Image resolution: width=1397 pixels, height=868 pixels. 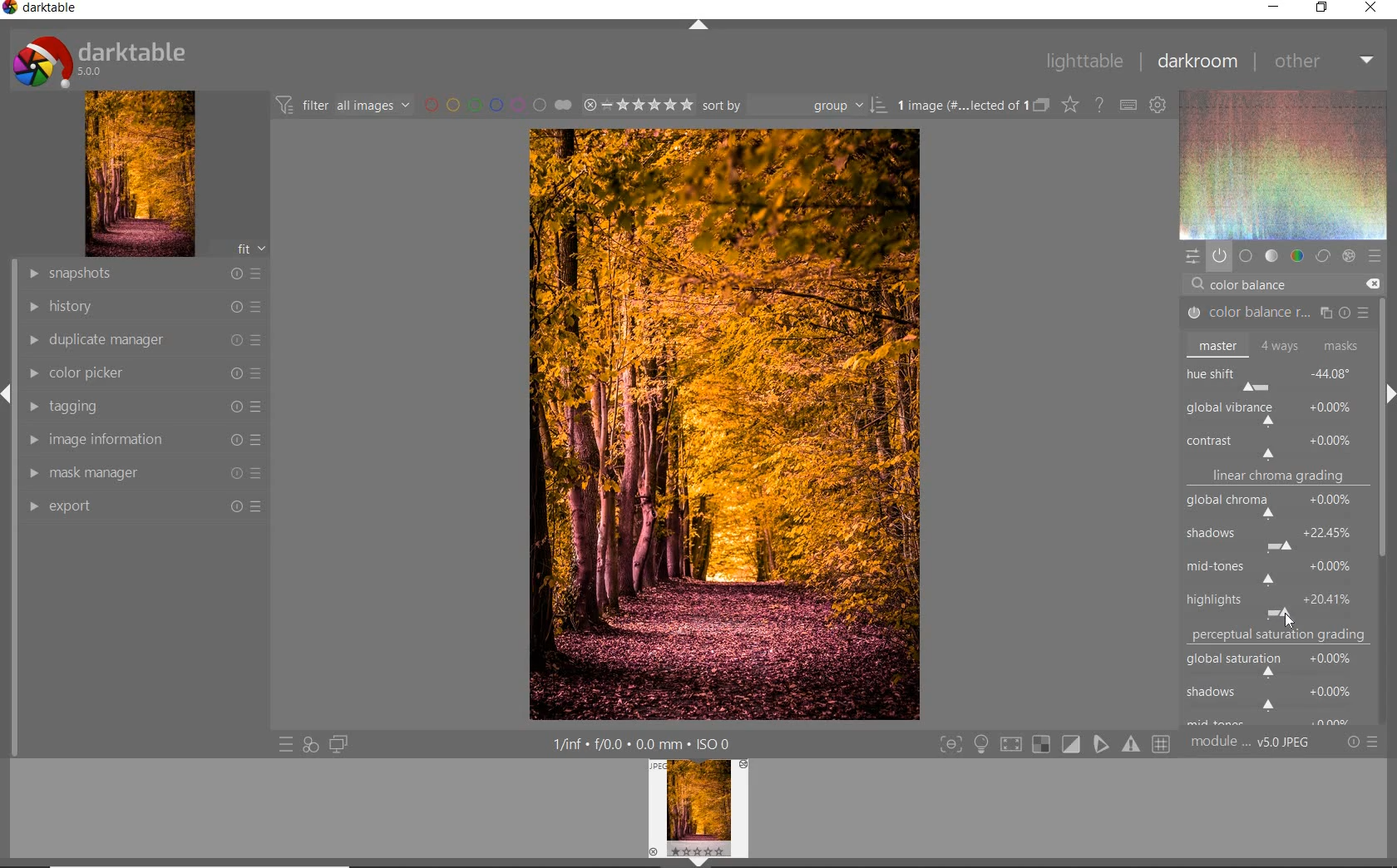 I want to click on reset or preset & preference, so click(x=1361, y=742).